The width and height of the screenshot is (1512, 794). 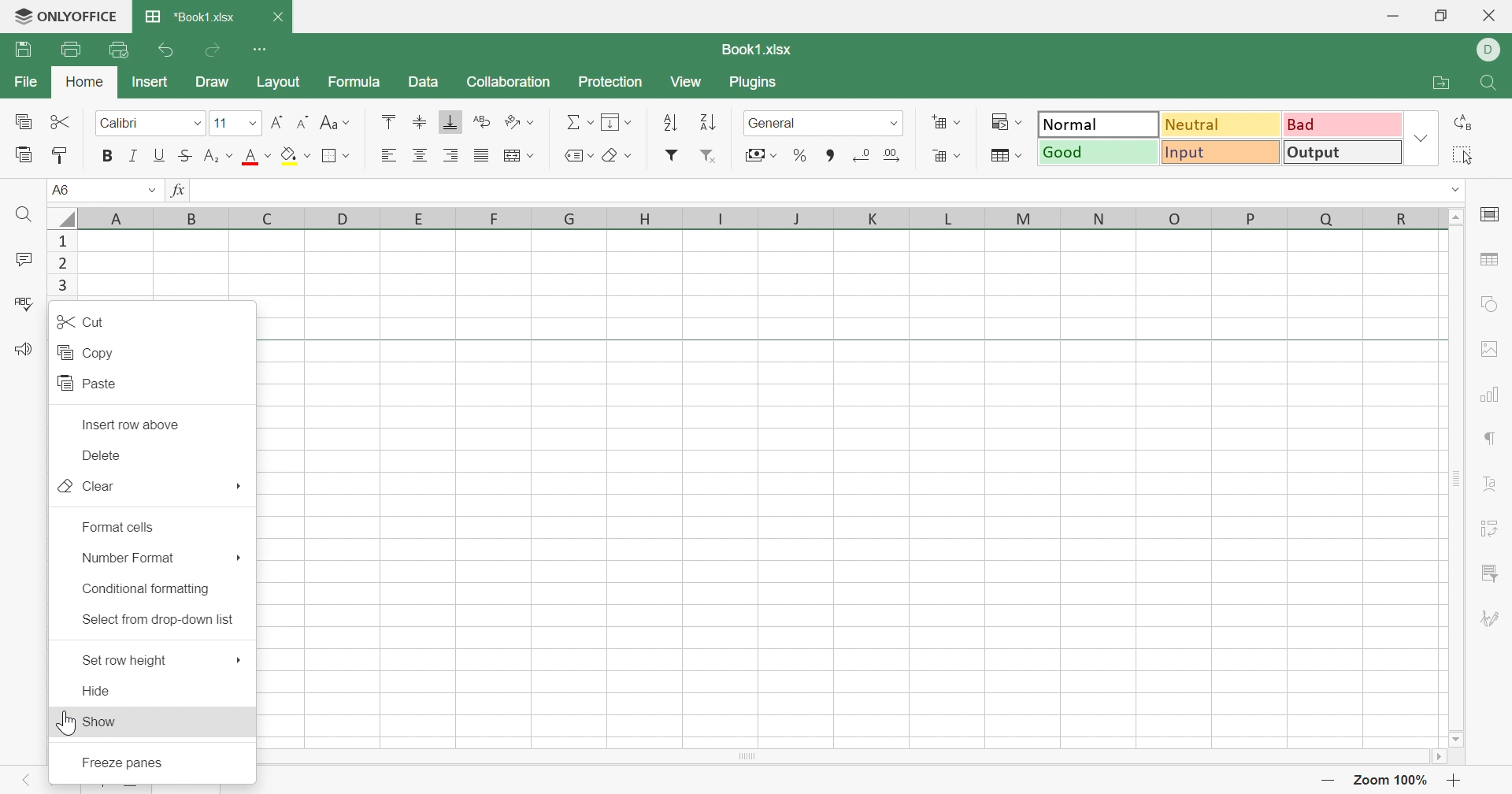 What do you see at coordinates (25, 783) in the screenshot?
I see `Previous` at bounding box center [25, 783].